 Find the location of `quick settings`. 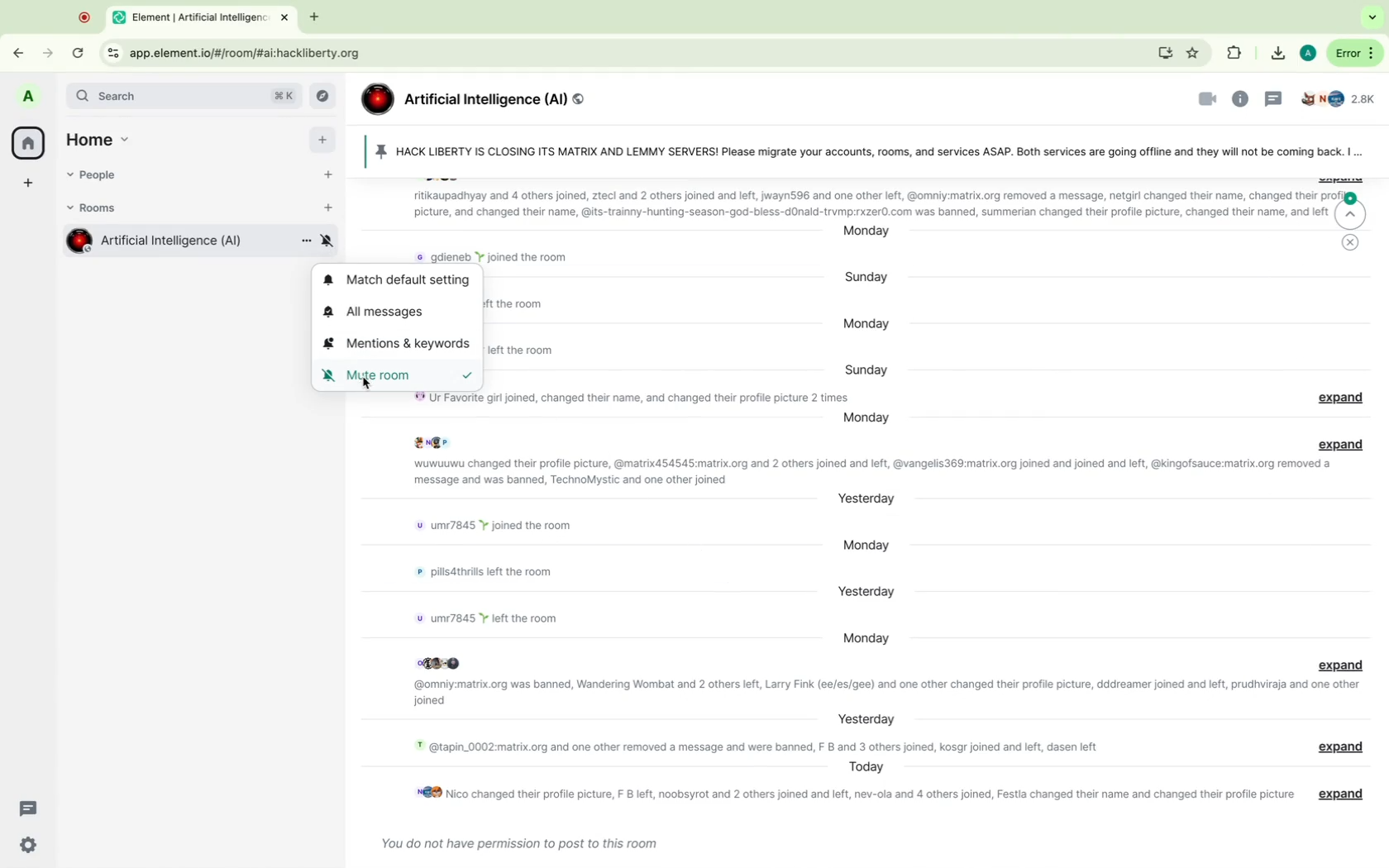

quick settings is located at coordinates (30, 844).